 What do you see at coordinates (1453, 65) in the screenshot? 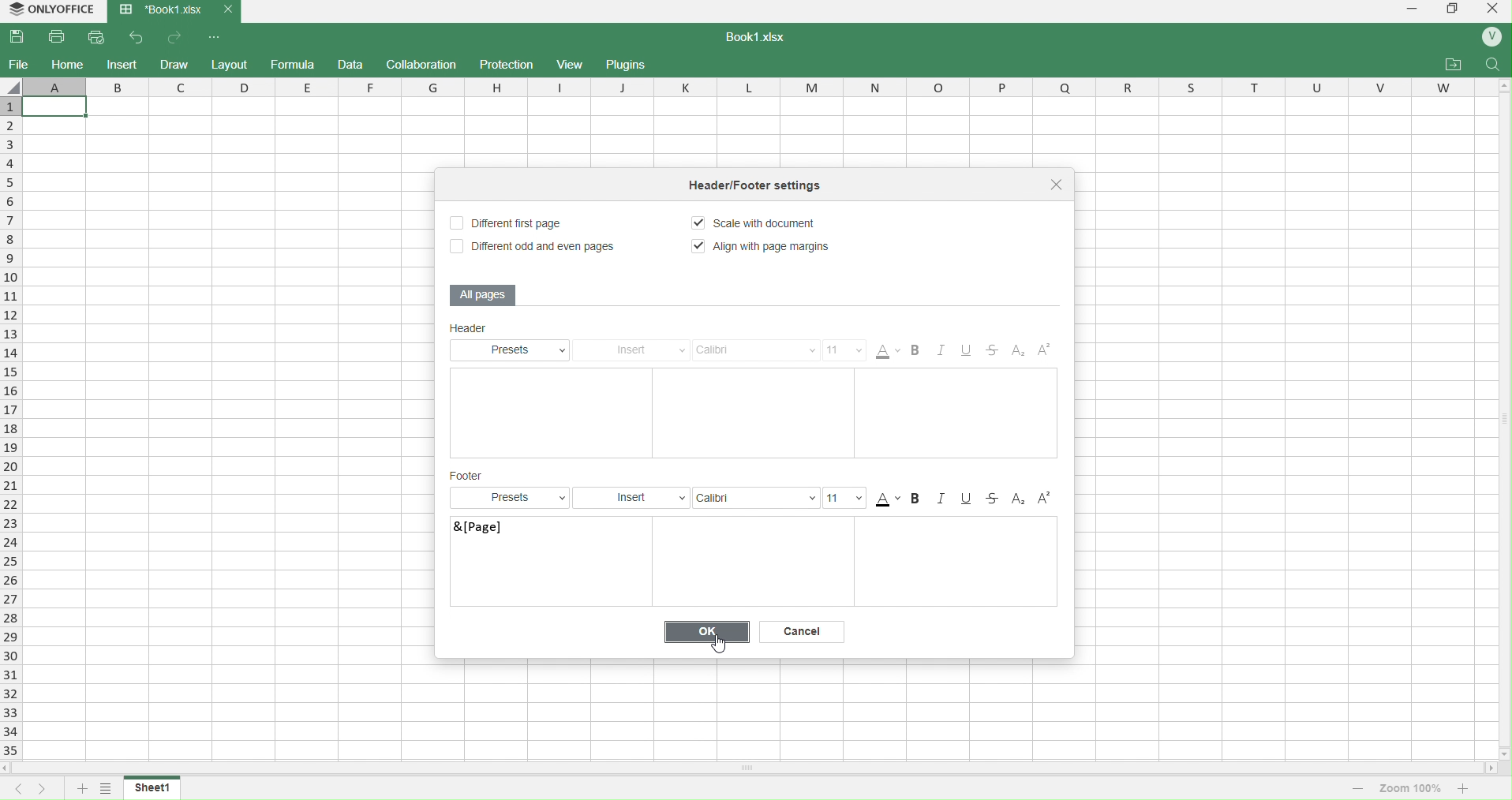
I see `attachments` at bounding box center [1453, 65].